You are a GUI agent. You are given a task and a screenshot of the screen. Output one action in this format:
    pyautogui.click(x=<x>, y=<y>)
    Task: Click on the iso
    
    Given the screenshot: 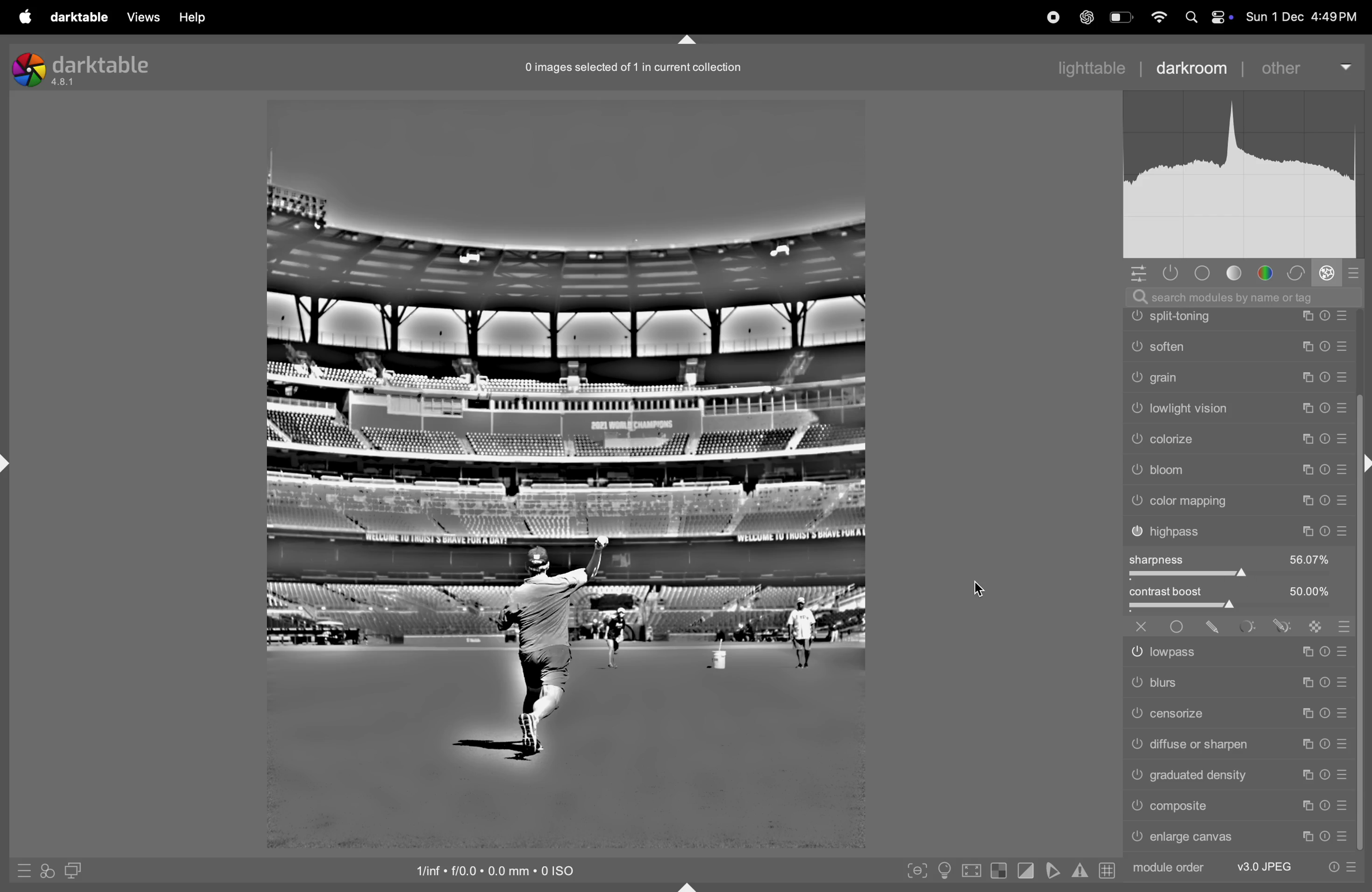 What is the action you would take?
    pyautogui.click(x=507, y=870)
    